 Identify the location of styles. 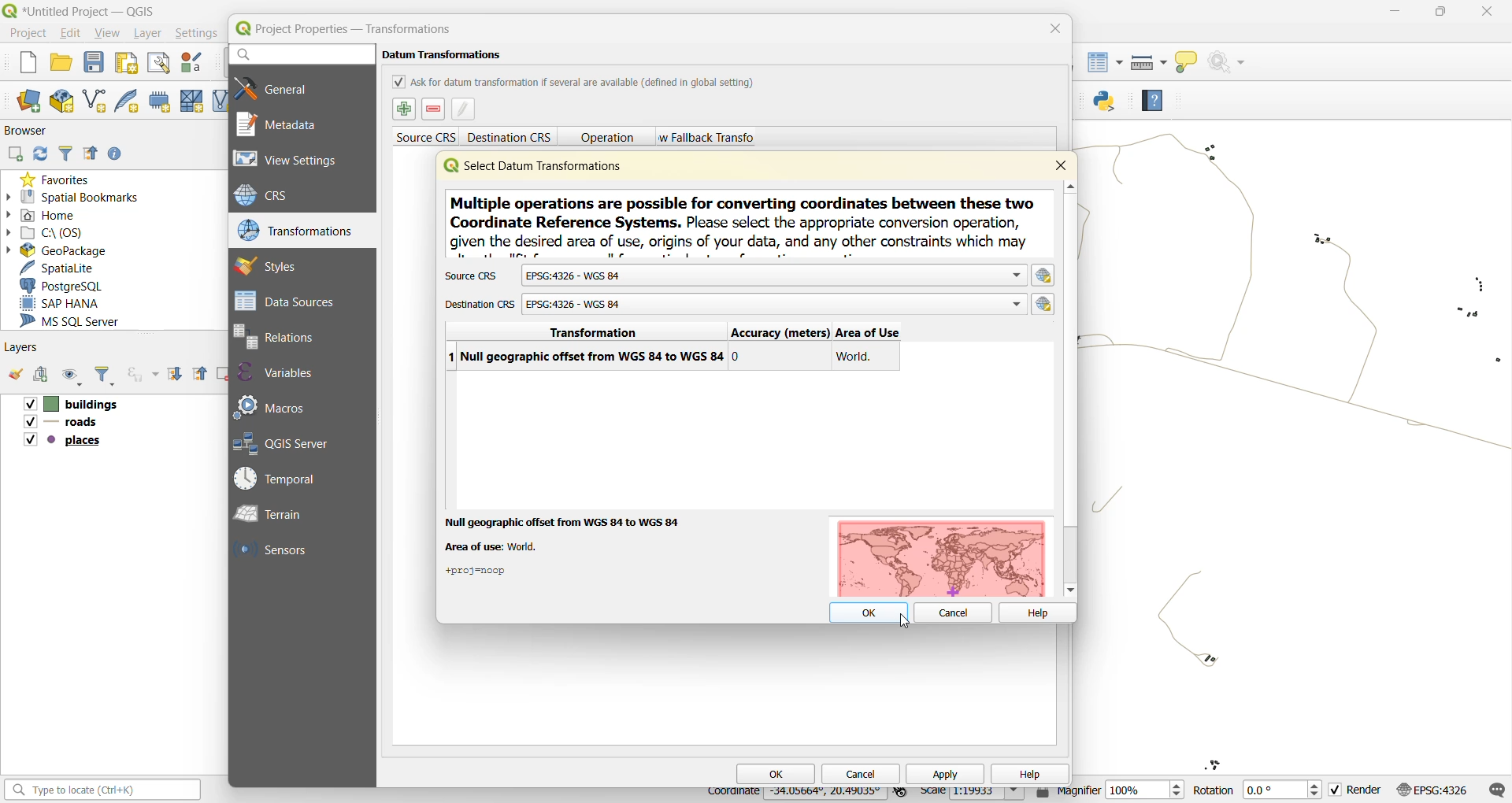
(277, 265).